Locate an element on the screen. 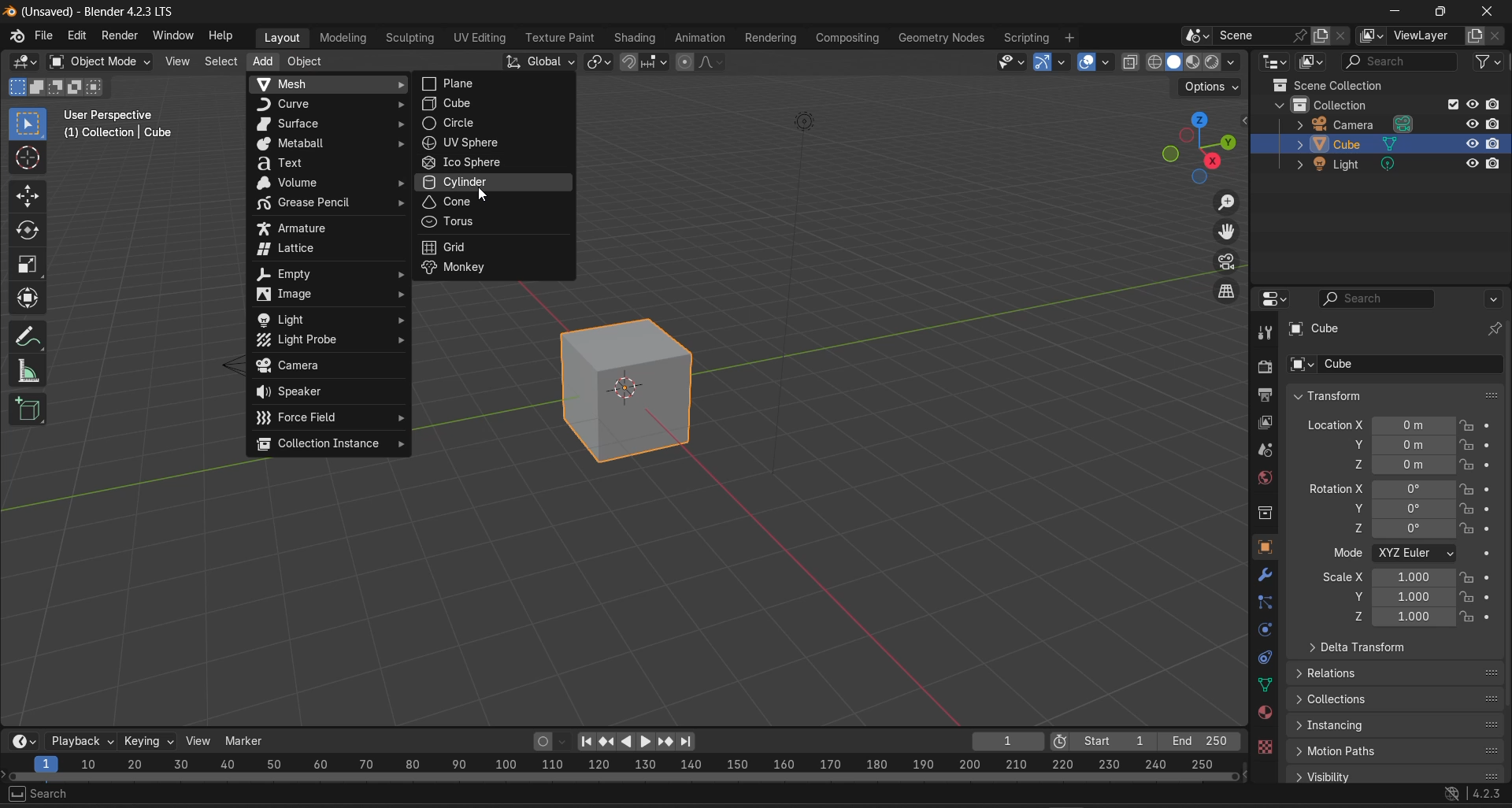 The height and width of the screenshot is (808, 1512). layout is located at coordinates (282, 38).